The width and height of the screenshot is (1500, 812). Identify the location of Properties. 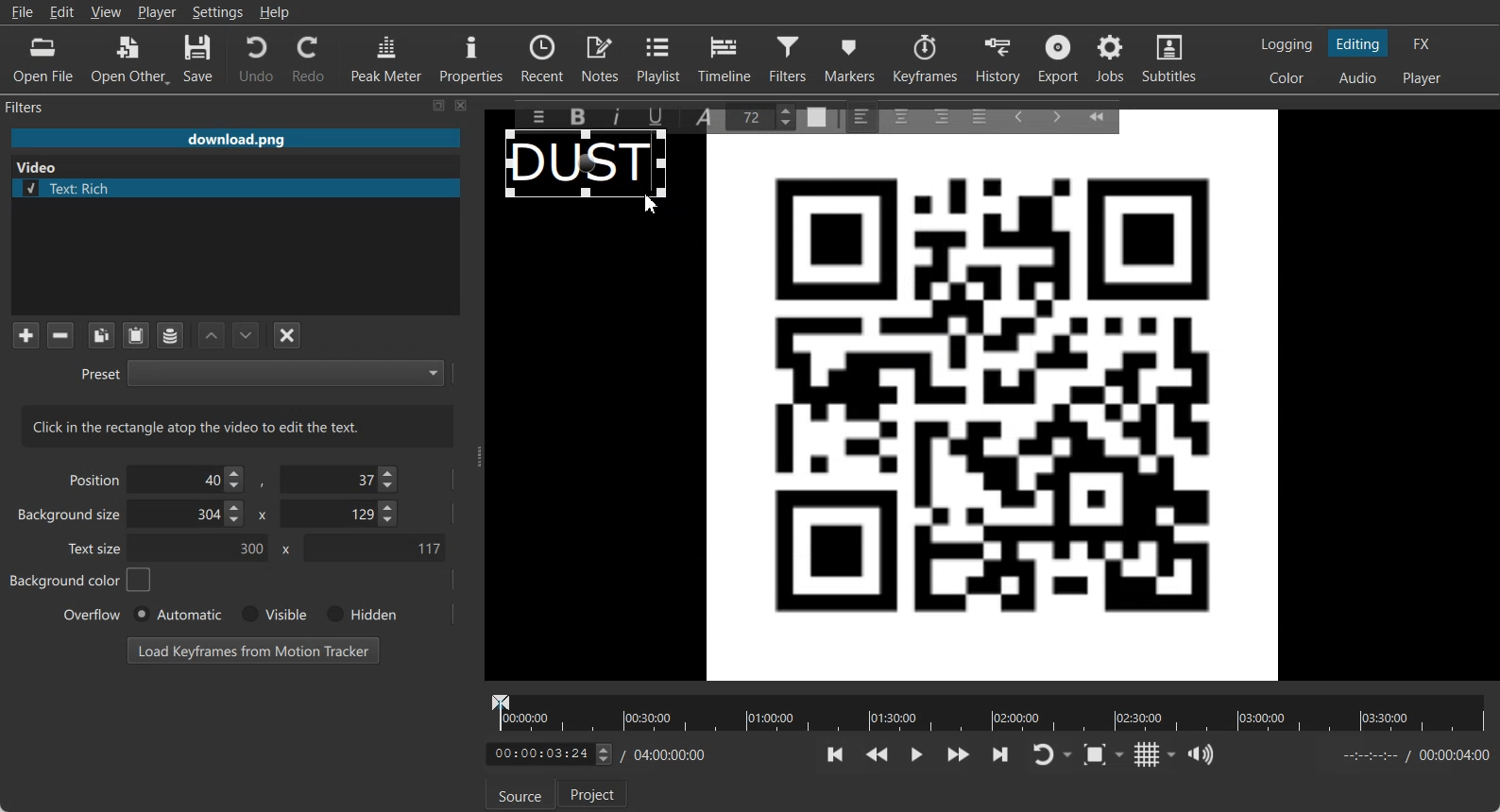
(471, 57).